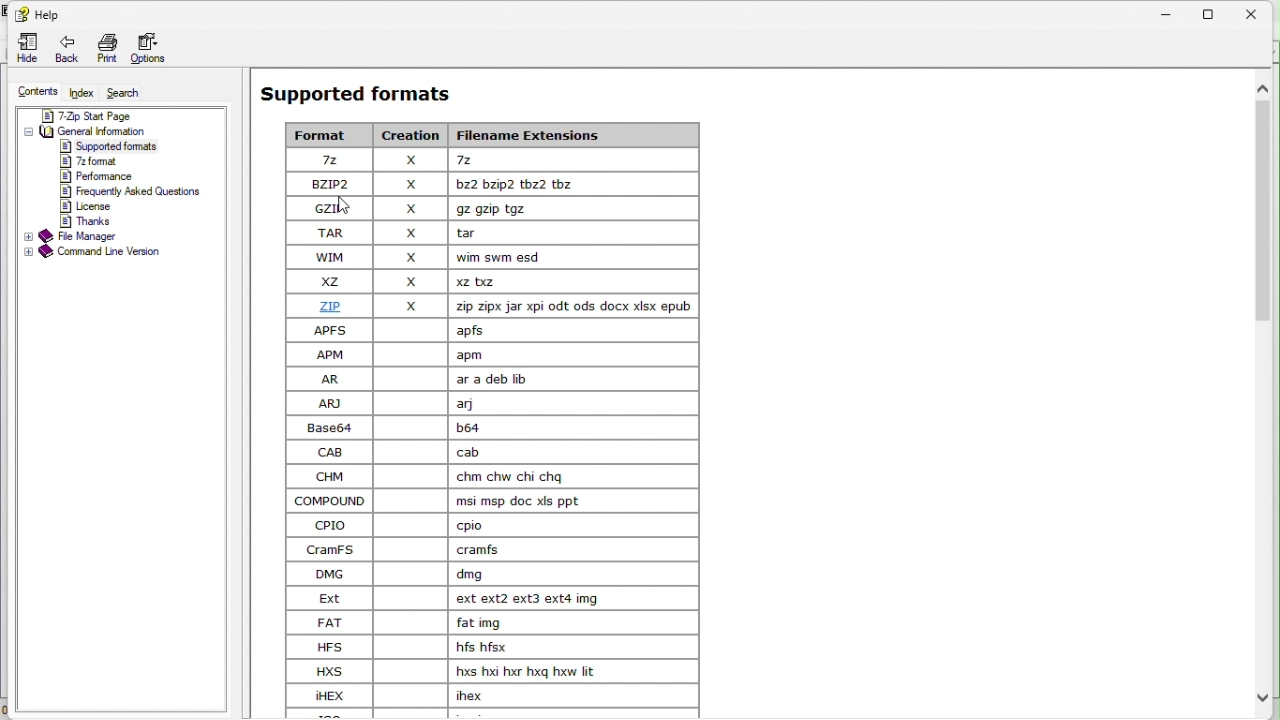 The height and width of the screenshot is (720, 1280). Describe the element at coordinates (24, 47) in the screenshot. I see `Hide` at that location.